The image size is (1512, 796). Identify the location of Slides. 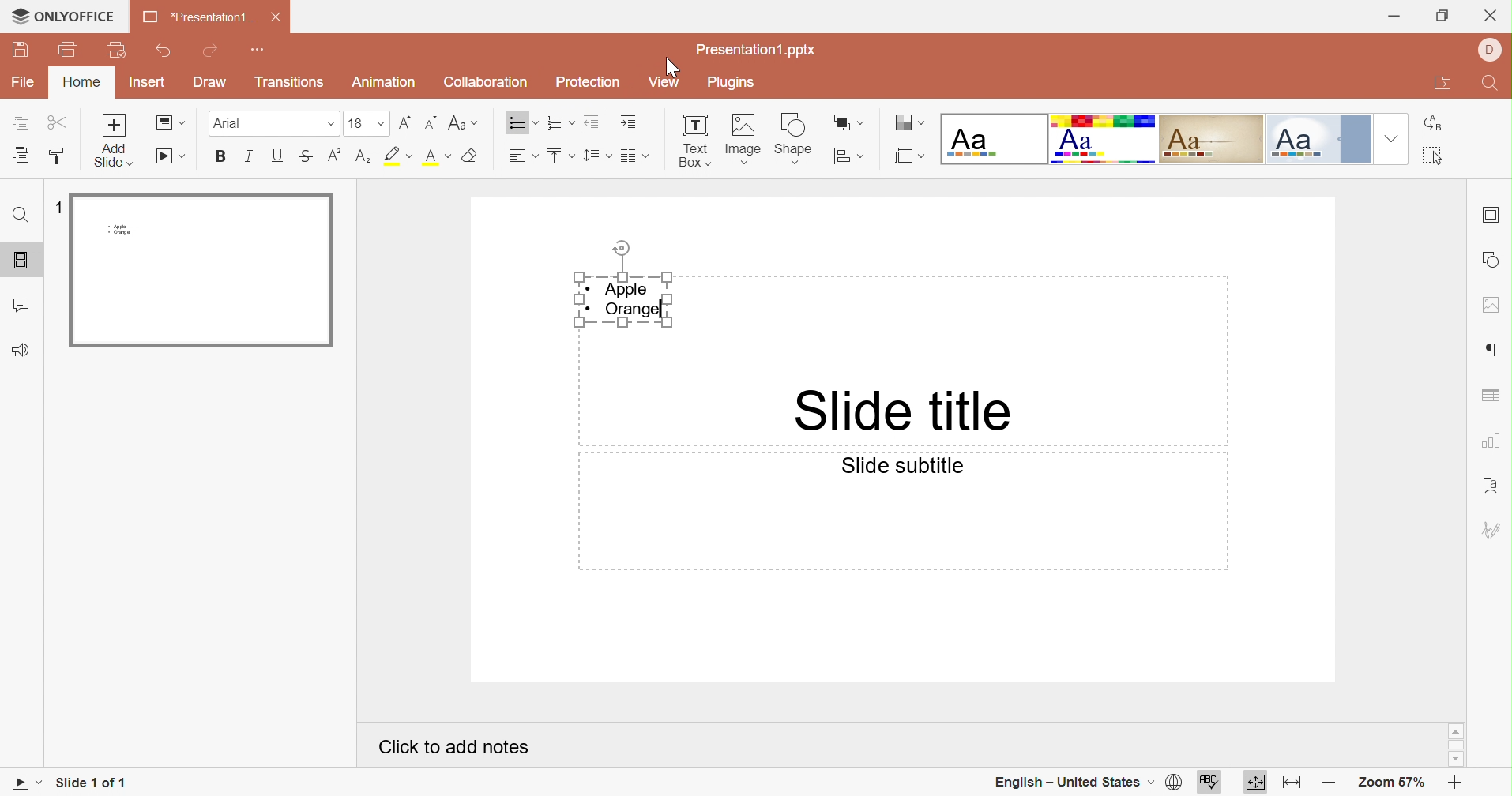
(23, 262).